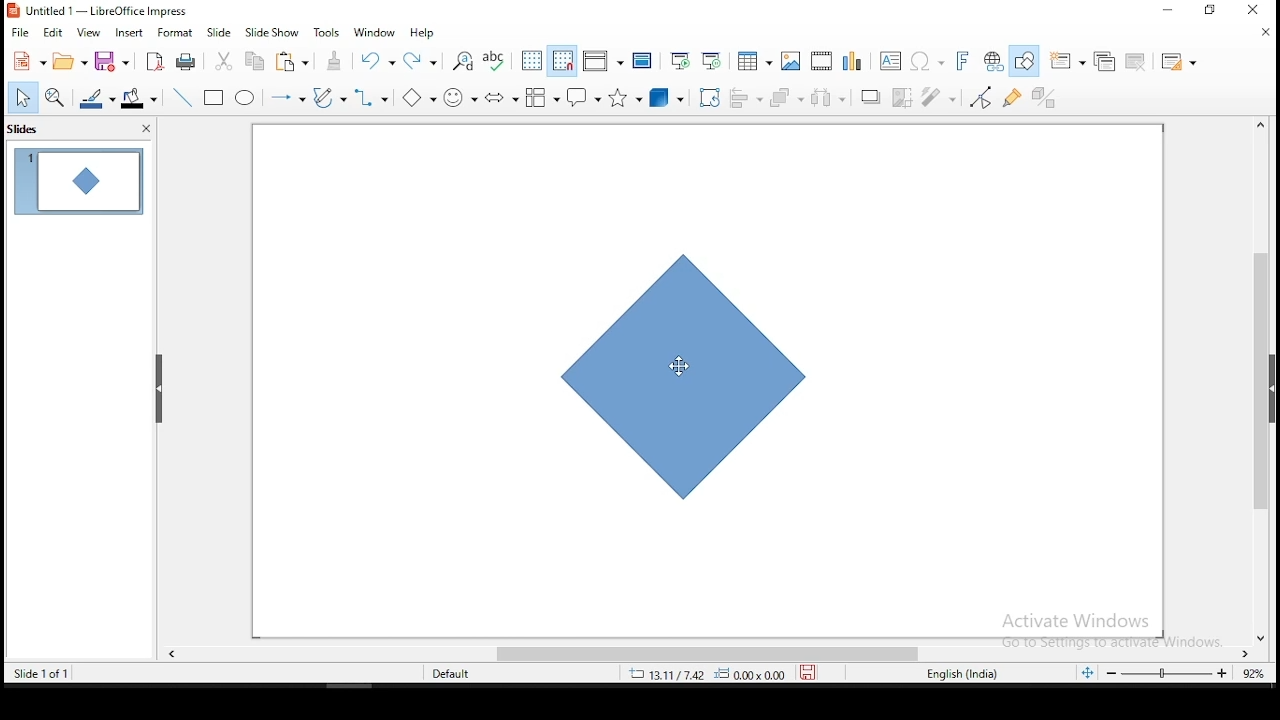 This screenshot has height=720, width=1280. Describe the element at coordinates (328, 32) in the screenshot. I see `tools` at that location.